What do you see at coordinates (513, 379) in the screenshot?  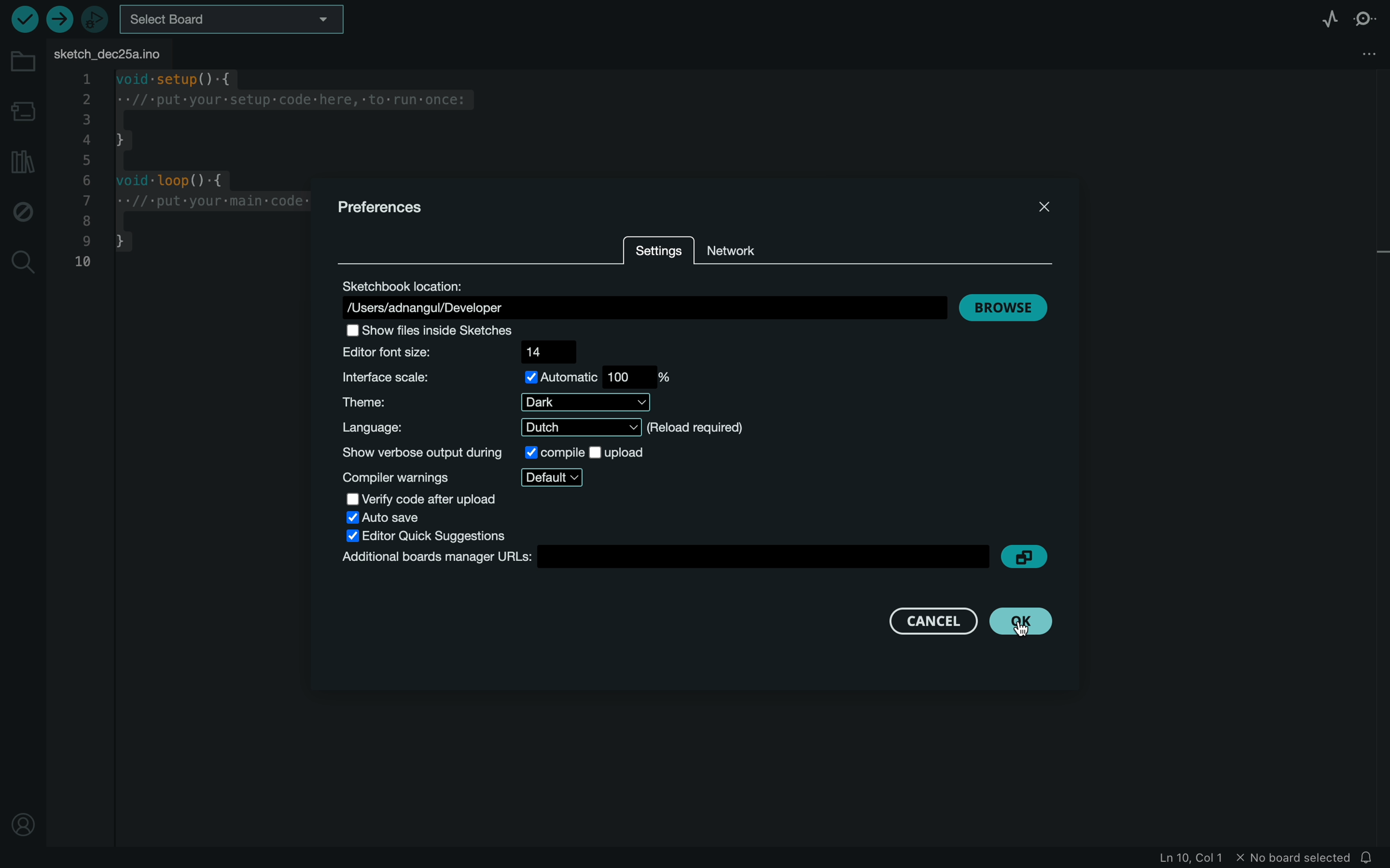 I see `scale` at bounding box center [513, 379].